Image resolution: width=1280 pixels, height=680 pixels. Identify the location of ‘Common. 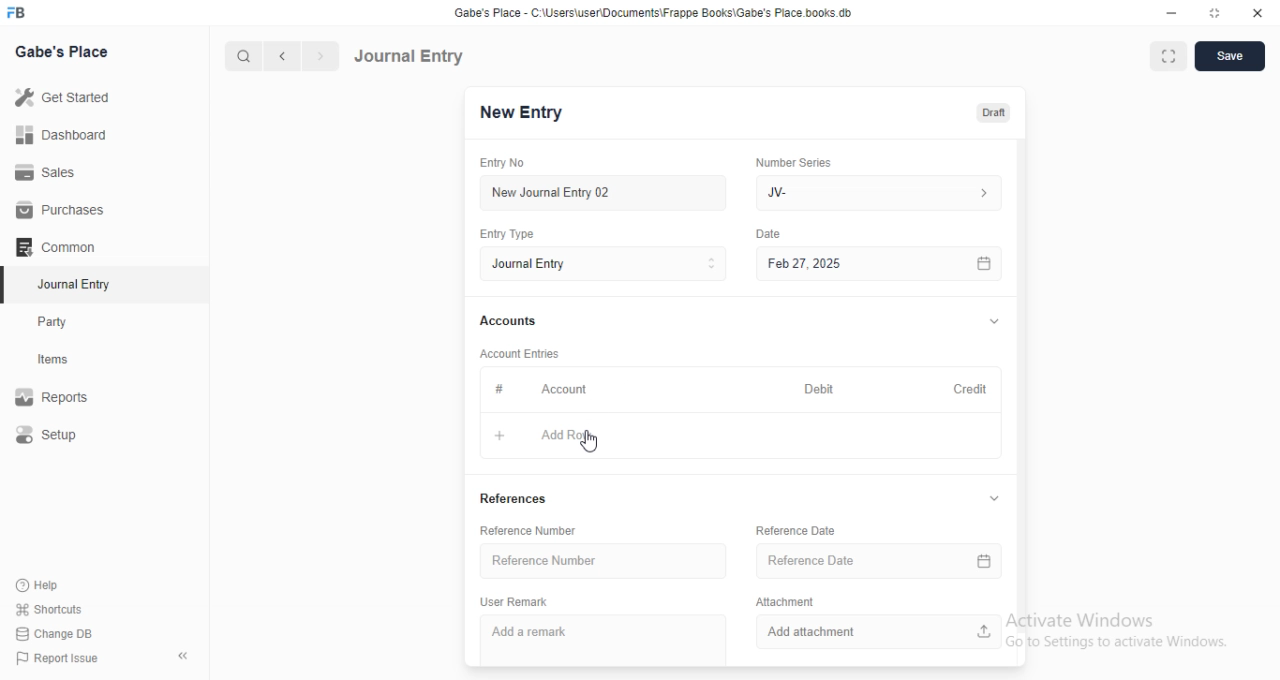
(57, 246).